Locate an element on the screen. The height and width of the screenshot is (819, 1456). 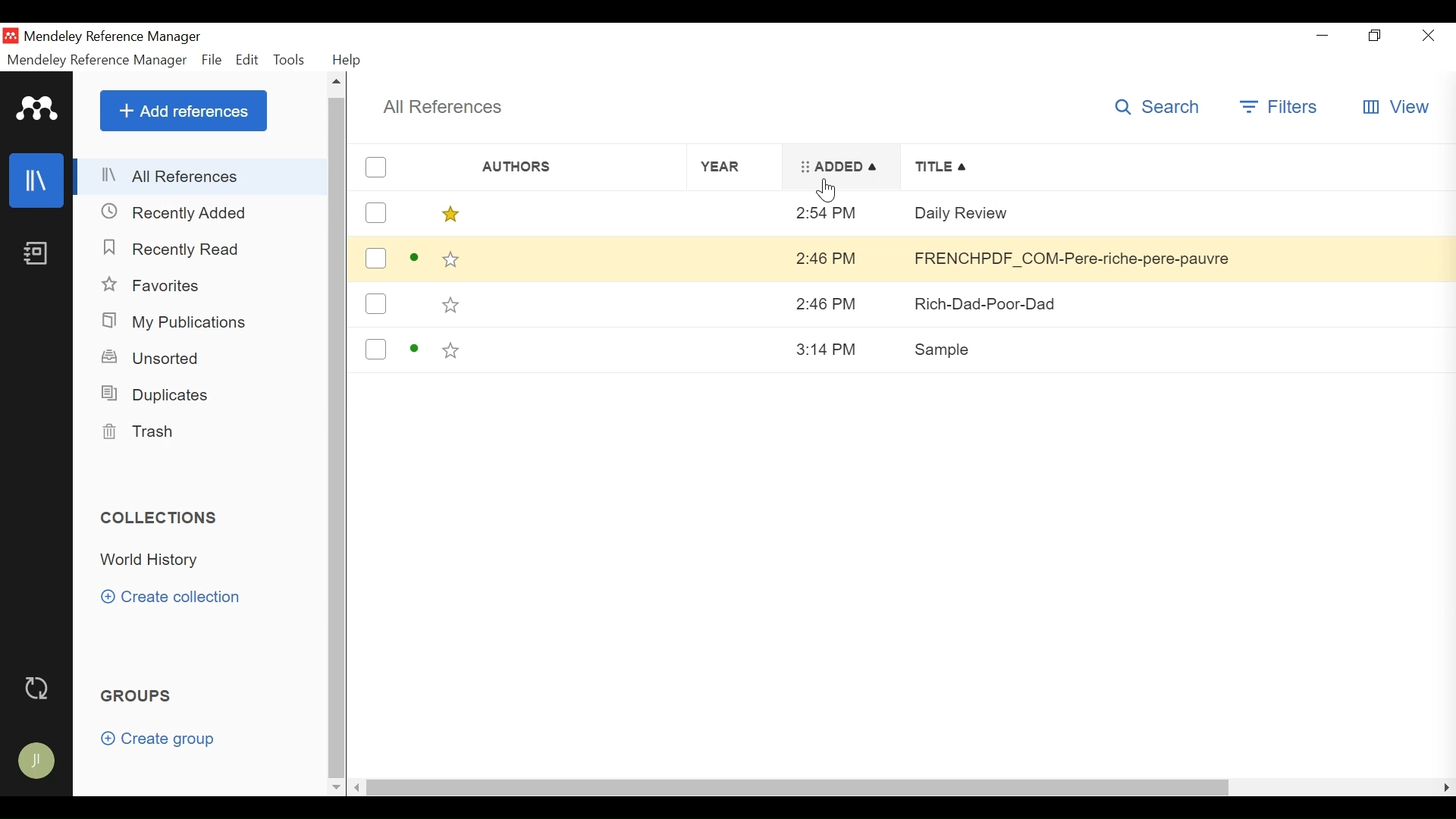
Rich-Dad-Poor-Dad is located at coordinates (1178, 309).